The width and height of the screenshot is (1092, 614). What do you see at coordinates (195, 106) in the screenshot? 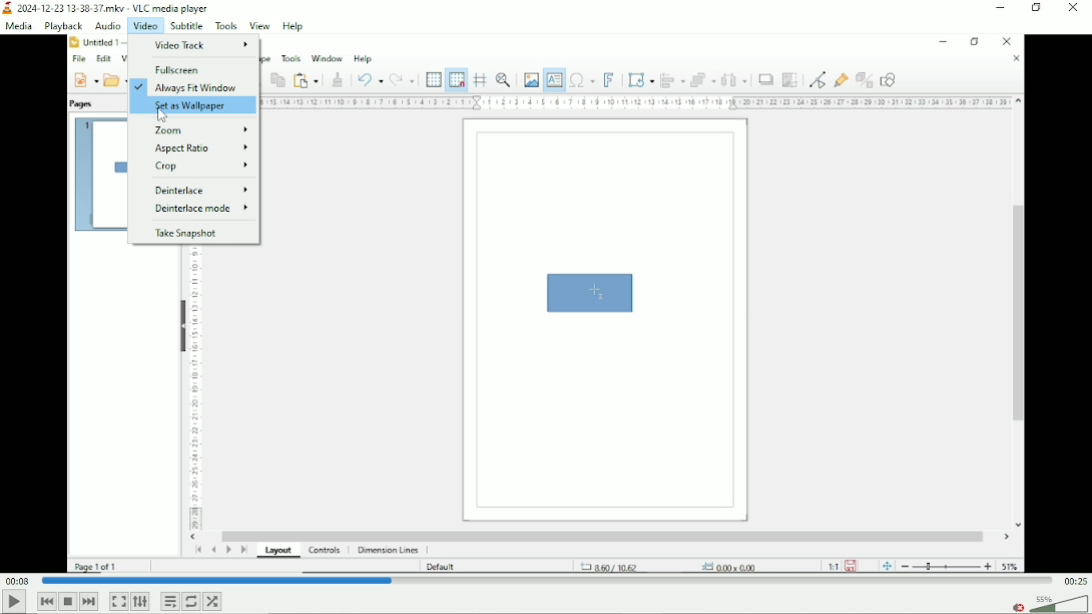
I see `Set as wallpaper` at bounding box center [195, 106].